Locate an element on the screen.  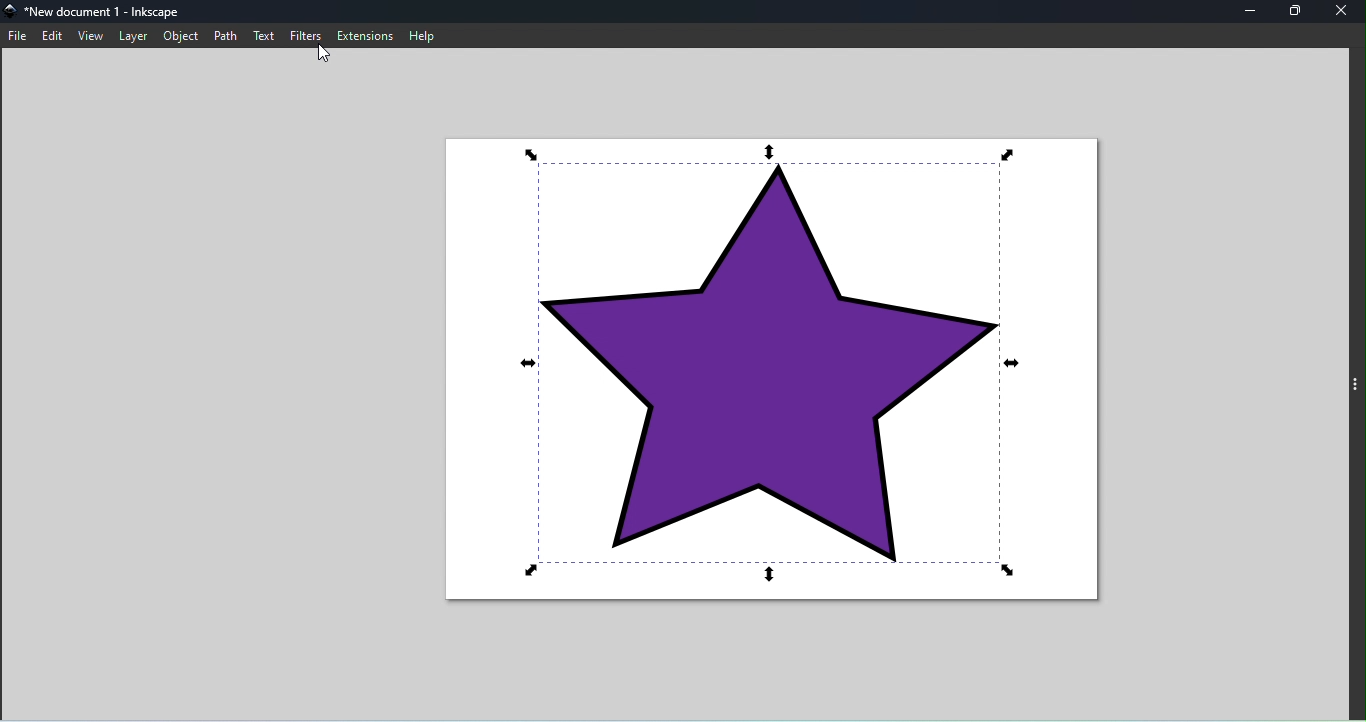
help is located at coordinates (422, 37).